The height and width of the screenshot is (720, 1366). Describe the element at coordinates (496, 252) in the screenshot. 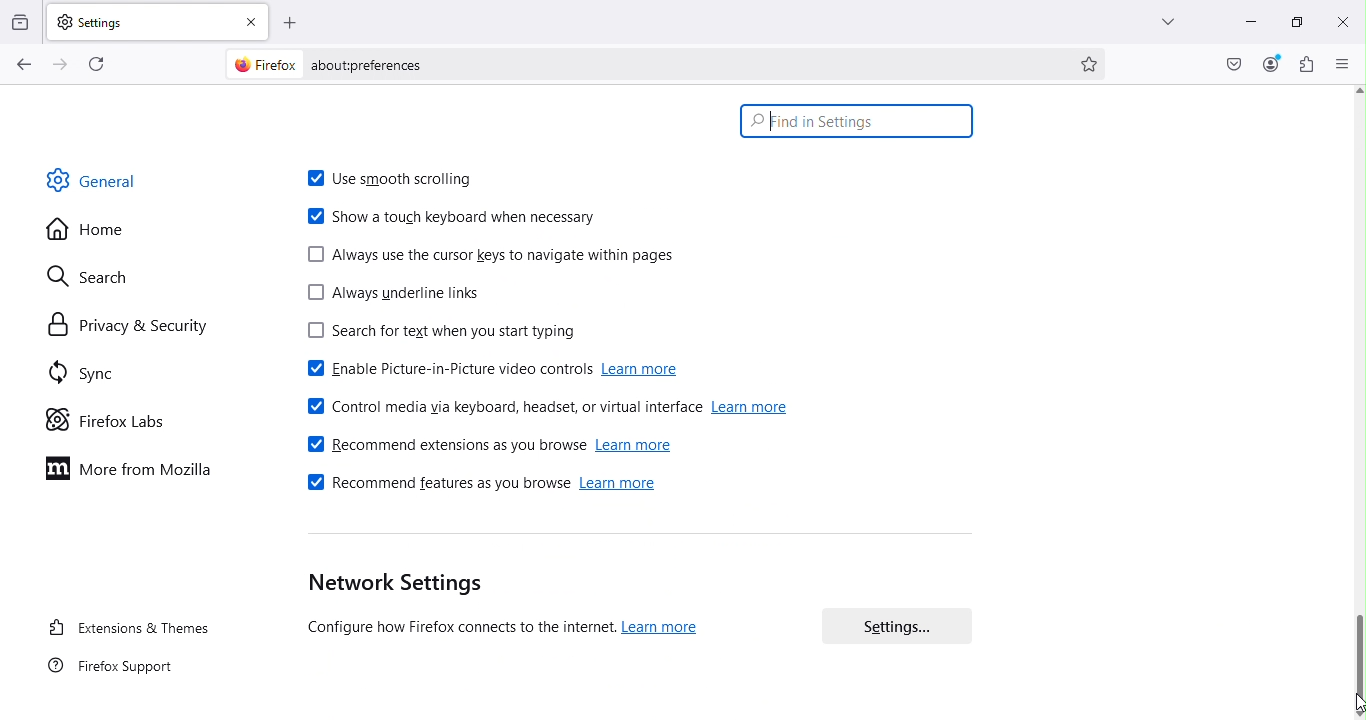

I see `Always use the cursor keys to navigate within pages` at that location.